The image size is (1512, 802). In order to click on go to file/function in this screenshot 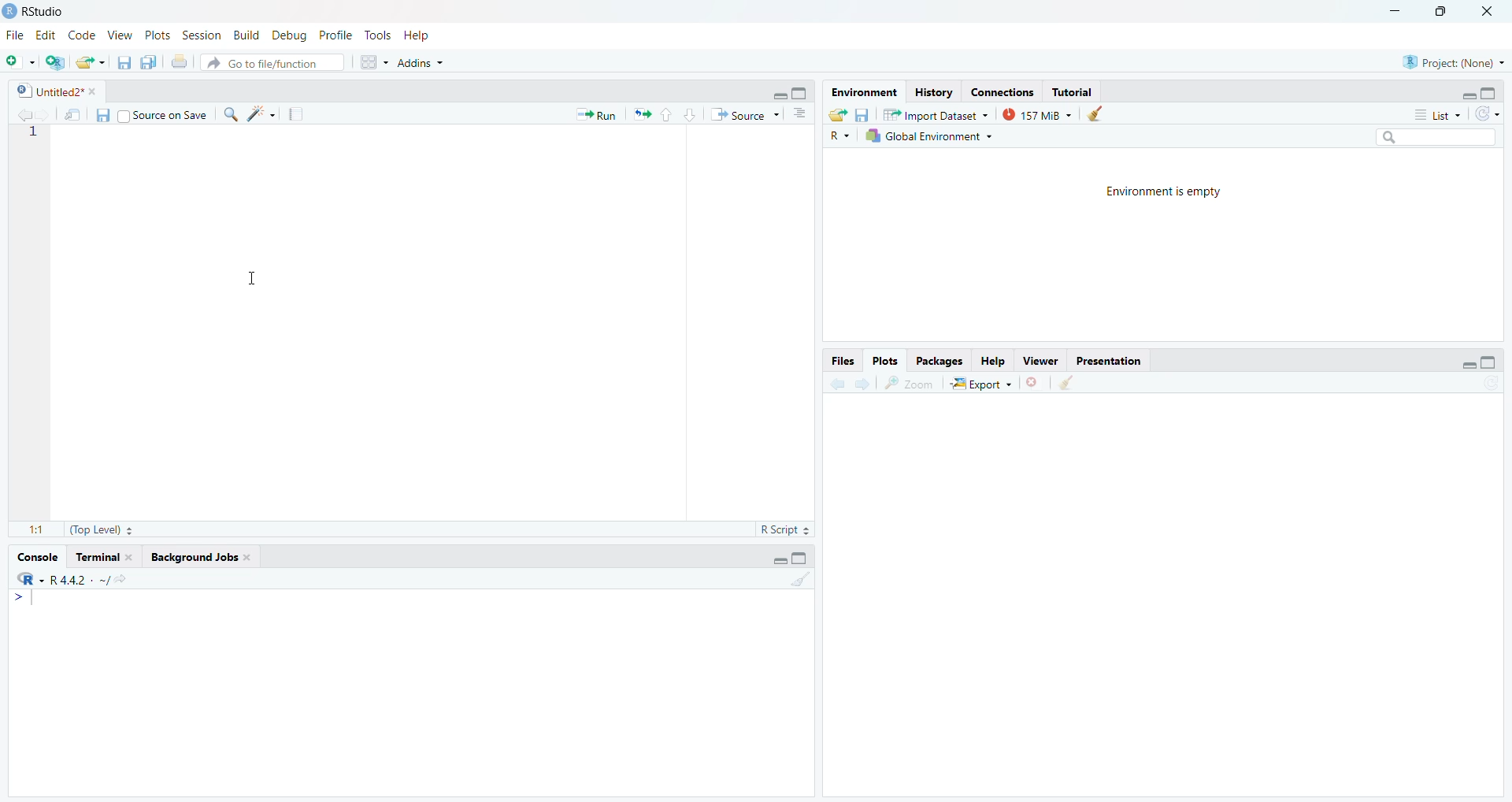, I will do `click(273, 64)`.